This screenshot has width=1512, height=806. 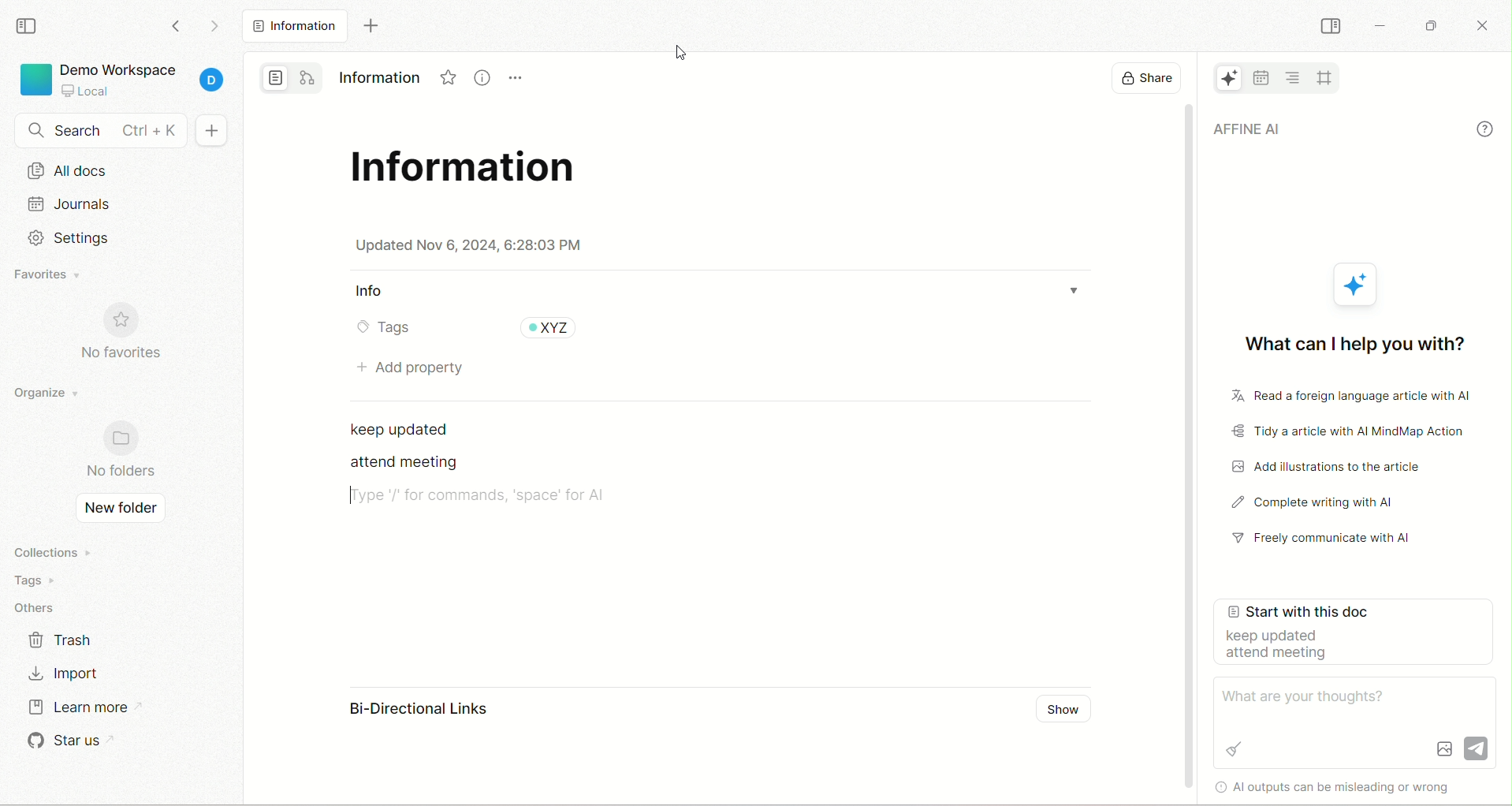 I want to click on show, so click(x=1063, y=711).